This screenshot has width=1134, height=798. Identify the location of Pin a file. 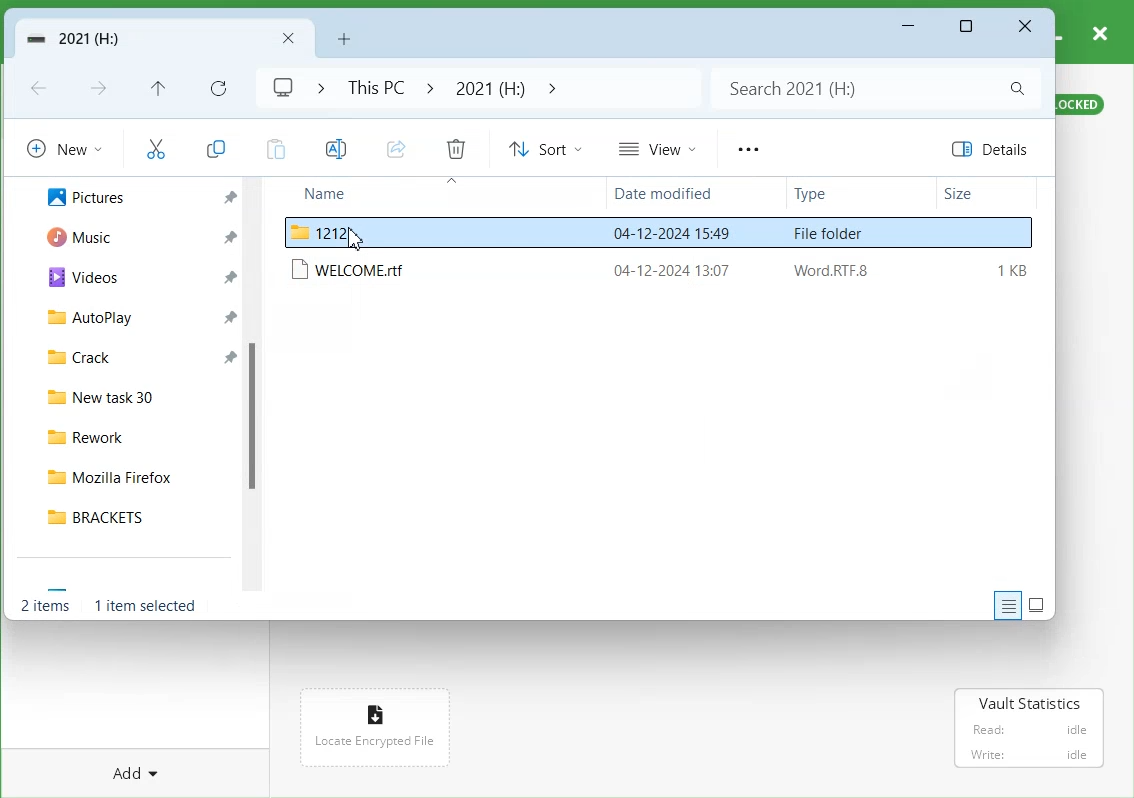
(230, 197).